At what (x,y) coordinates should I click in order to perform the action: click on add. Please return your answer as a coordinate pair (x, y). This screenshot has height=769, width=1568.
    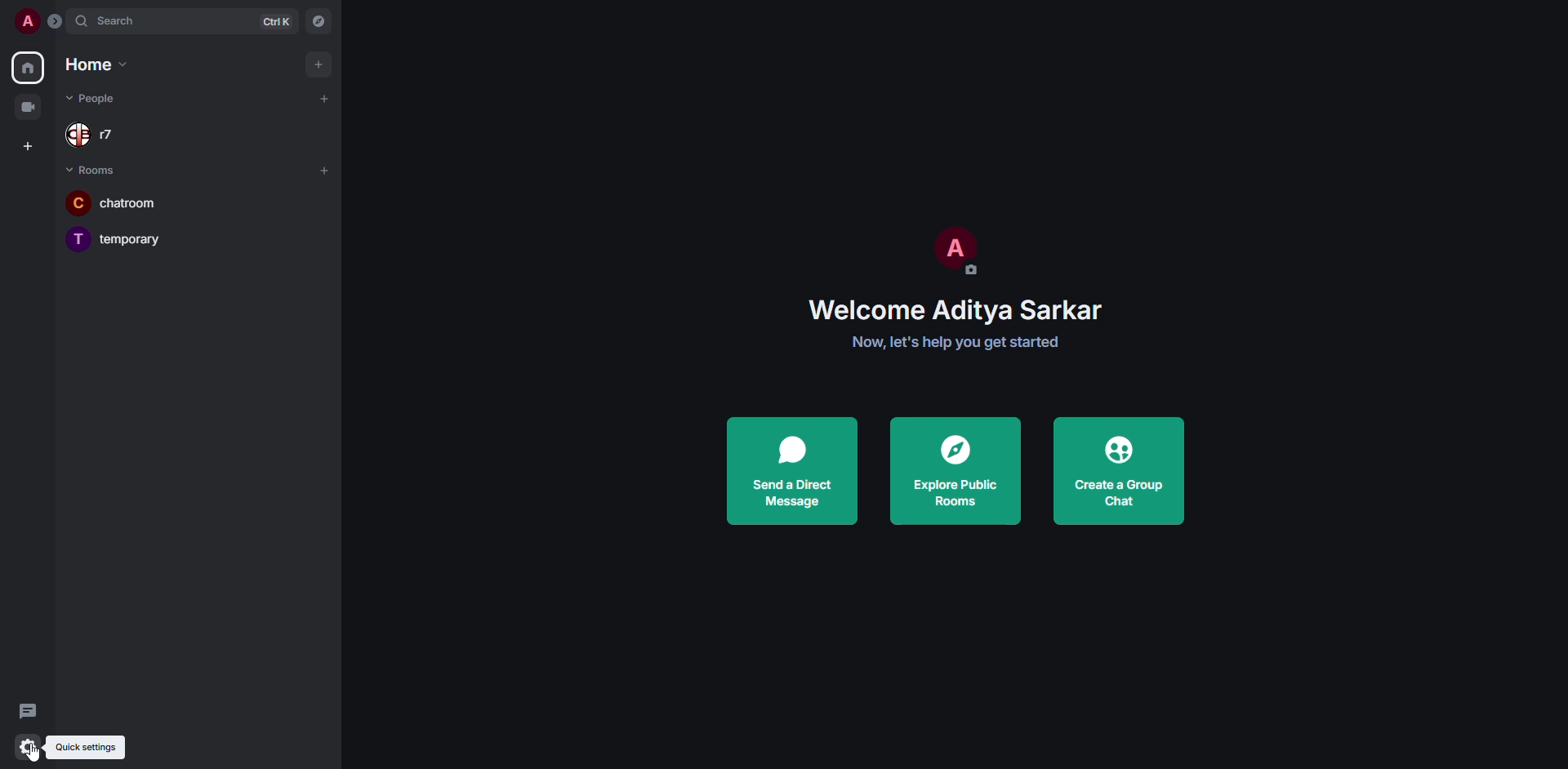
    Looking at the image, I should click on (325, 96).